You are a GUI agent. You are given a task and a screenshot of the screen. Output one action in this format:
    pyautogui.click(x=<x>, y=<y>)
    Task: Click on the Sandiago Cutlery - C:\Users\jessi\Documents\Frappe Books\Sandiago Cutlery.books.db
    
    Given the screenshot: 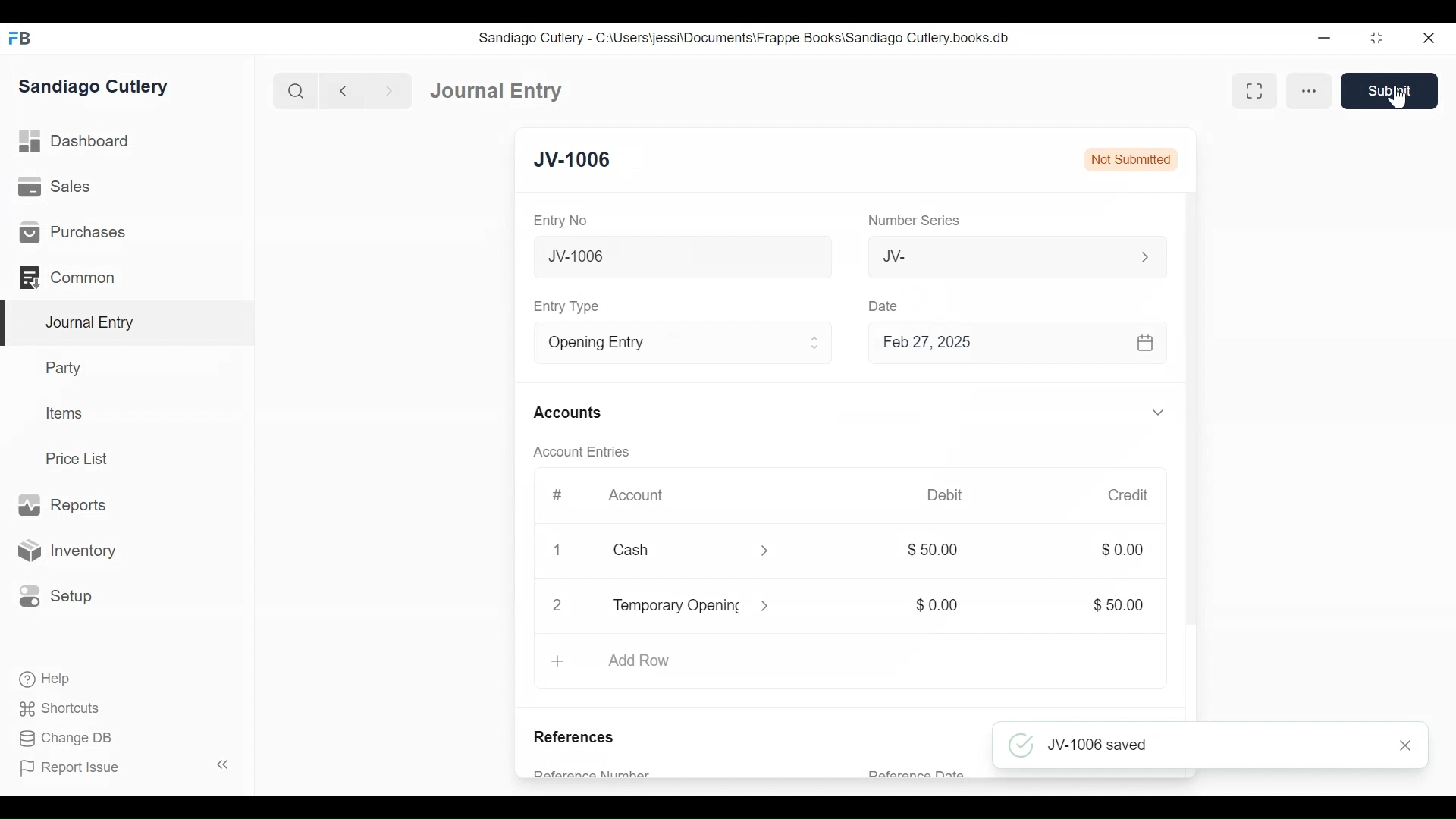 What is the action you would take?
    pyautogui.click(x=745, y=37)
    